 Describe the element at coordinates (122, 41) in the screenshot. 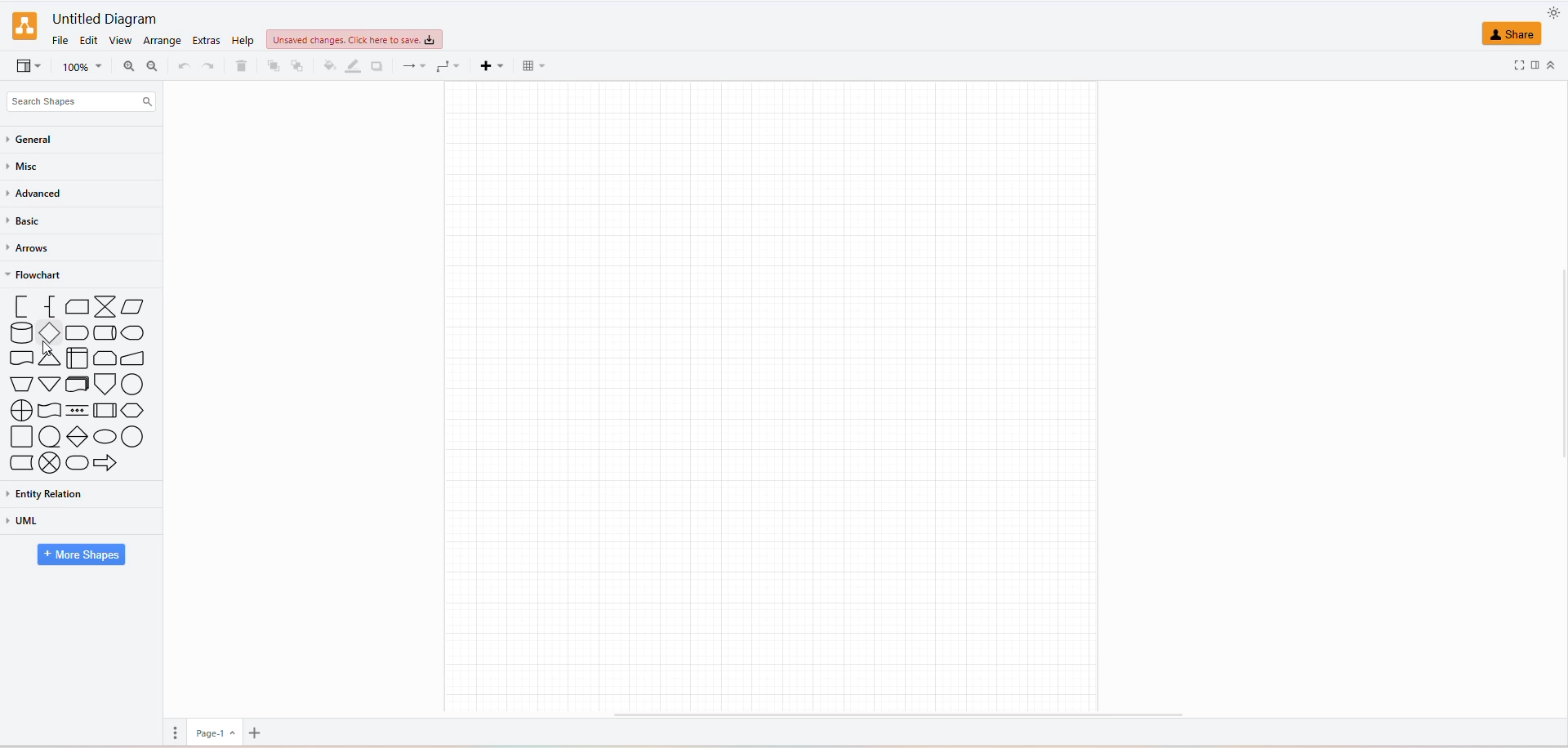

I see `VIEW` at that location.